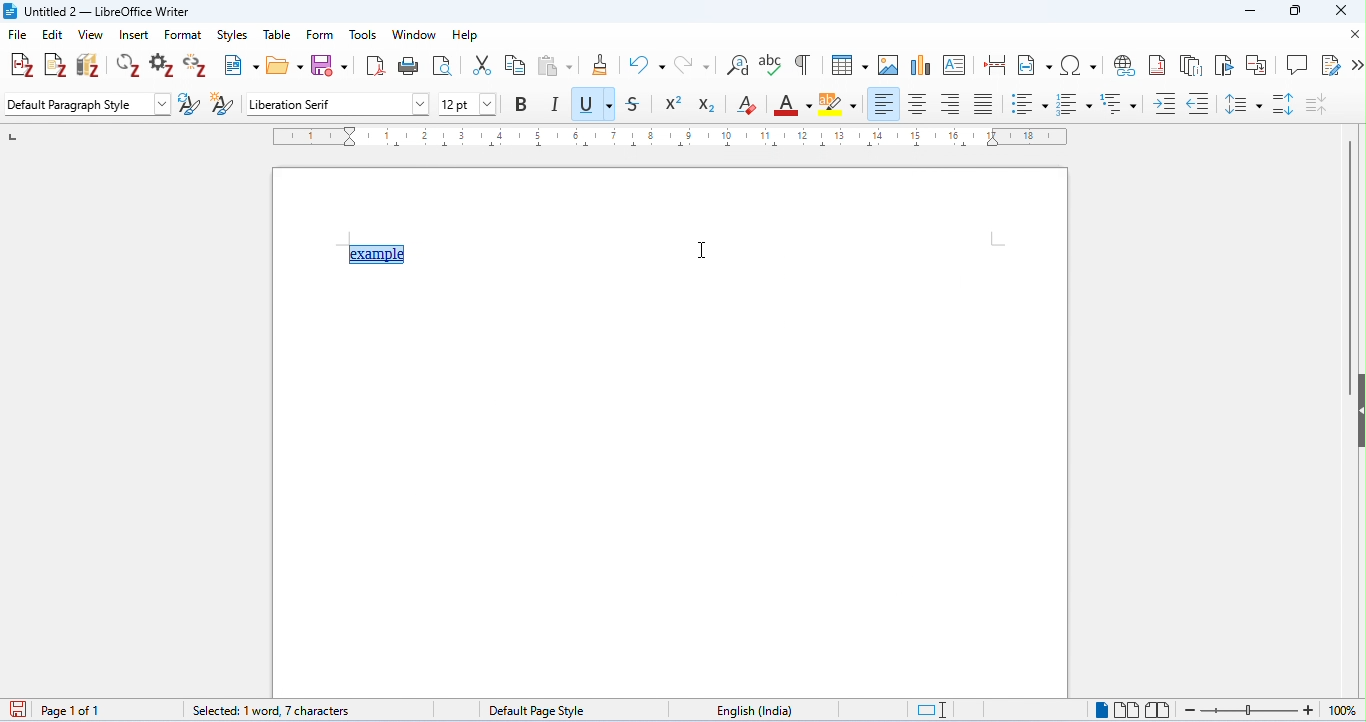 This screenshot has width=1366, height=722. I want to click on close, so click(1338, 11).